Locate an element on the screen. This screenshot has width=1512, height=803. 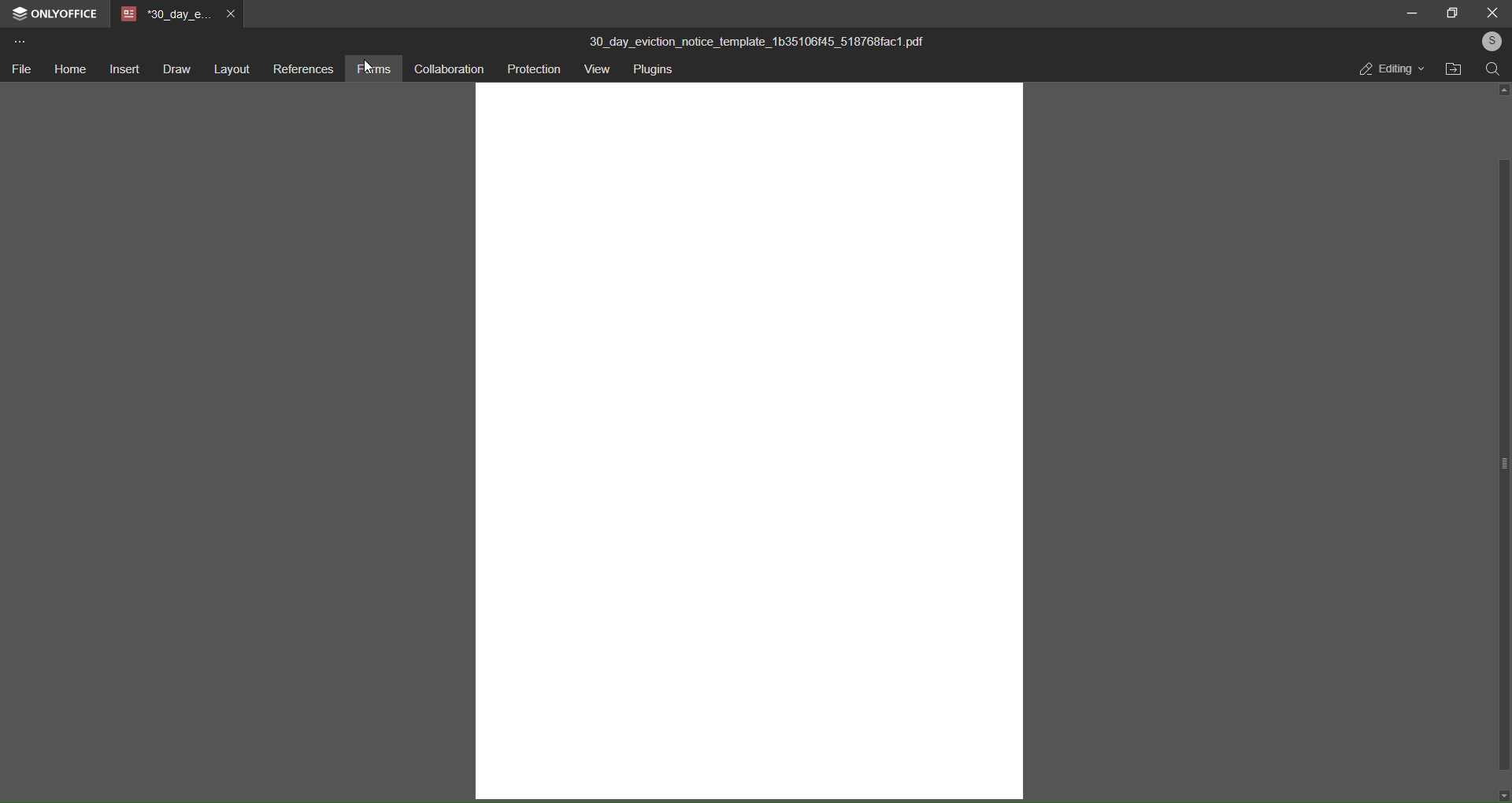
onlyoffice is located at coordinates (64, 13).